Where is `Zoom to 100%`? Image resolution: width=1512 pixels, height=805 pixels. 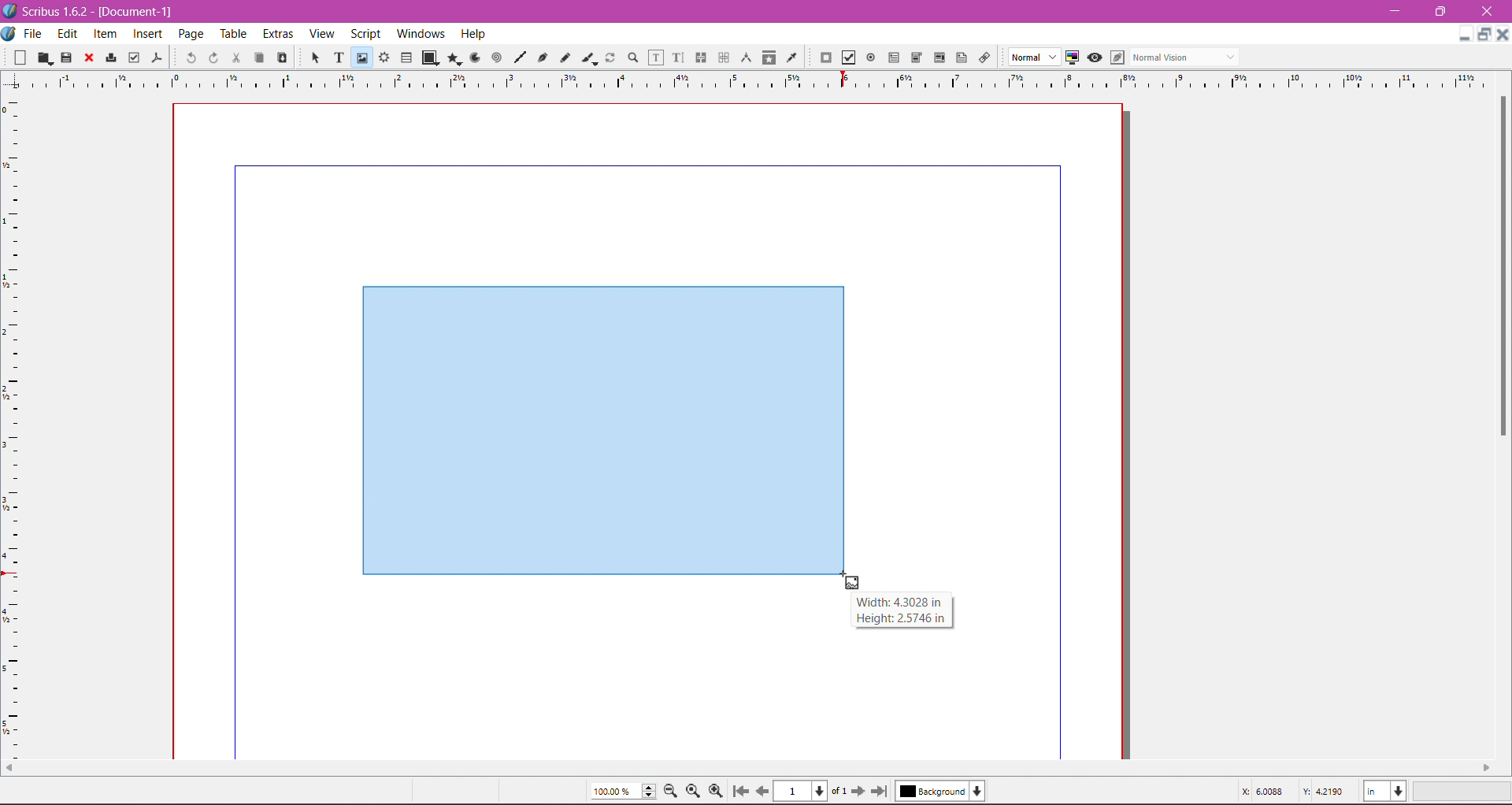 Zoom to 100% is located at coordinates (692, 792).